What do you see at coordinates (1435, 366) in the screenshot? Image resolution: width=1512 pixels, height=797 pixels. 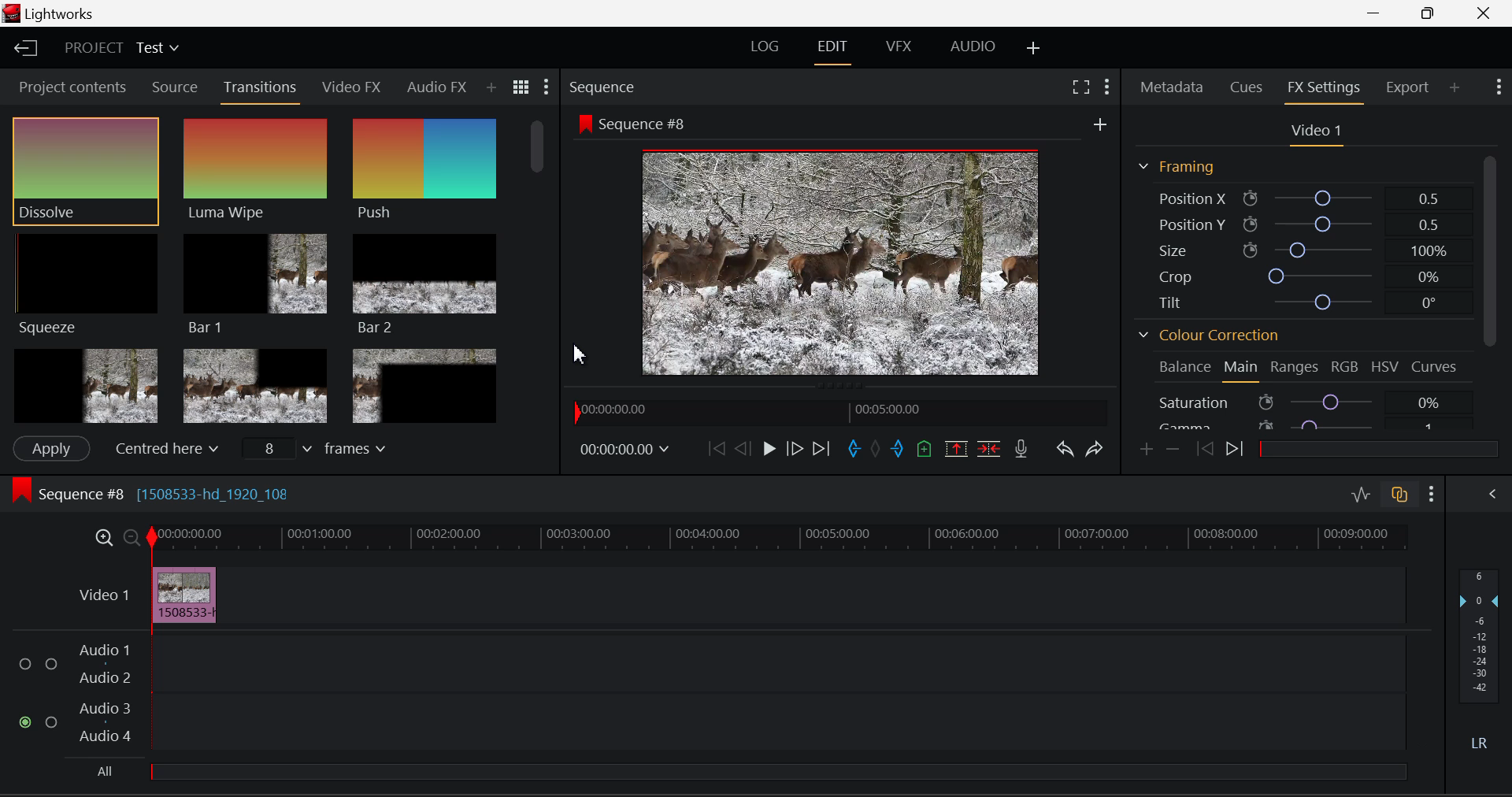 I see `Curves` at bounding box center [1435, 366].